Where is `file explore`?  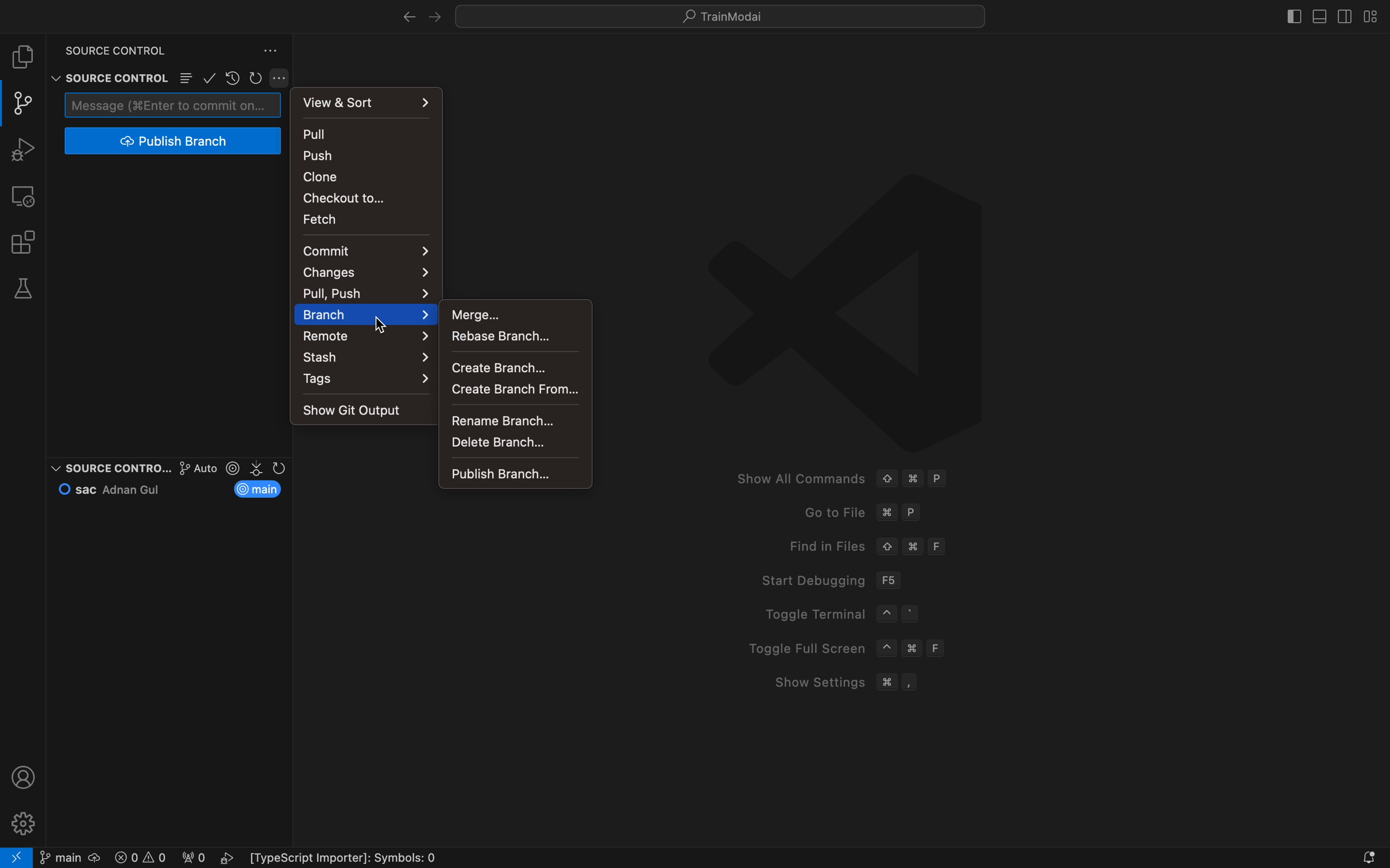
file explore is located at coordinates (25, 57).